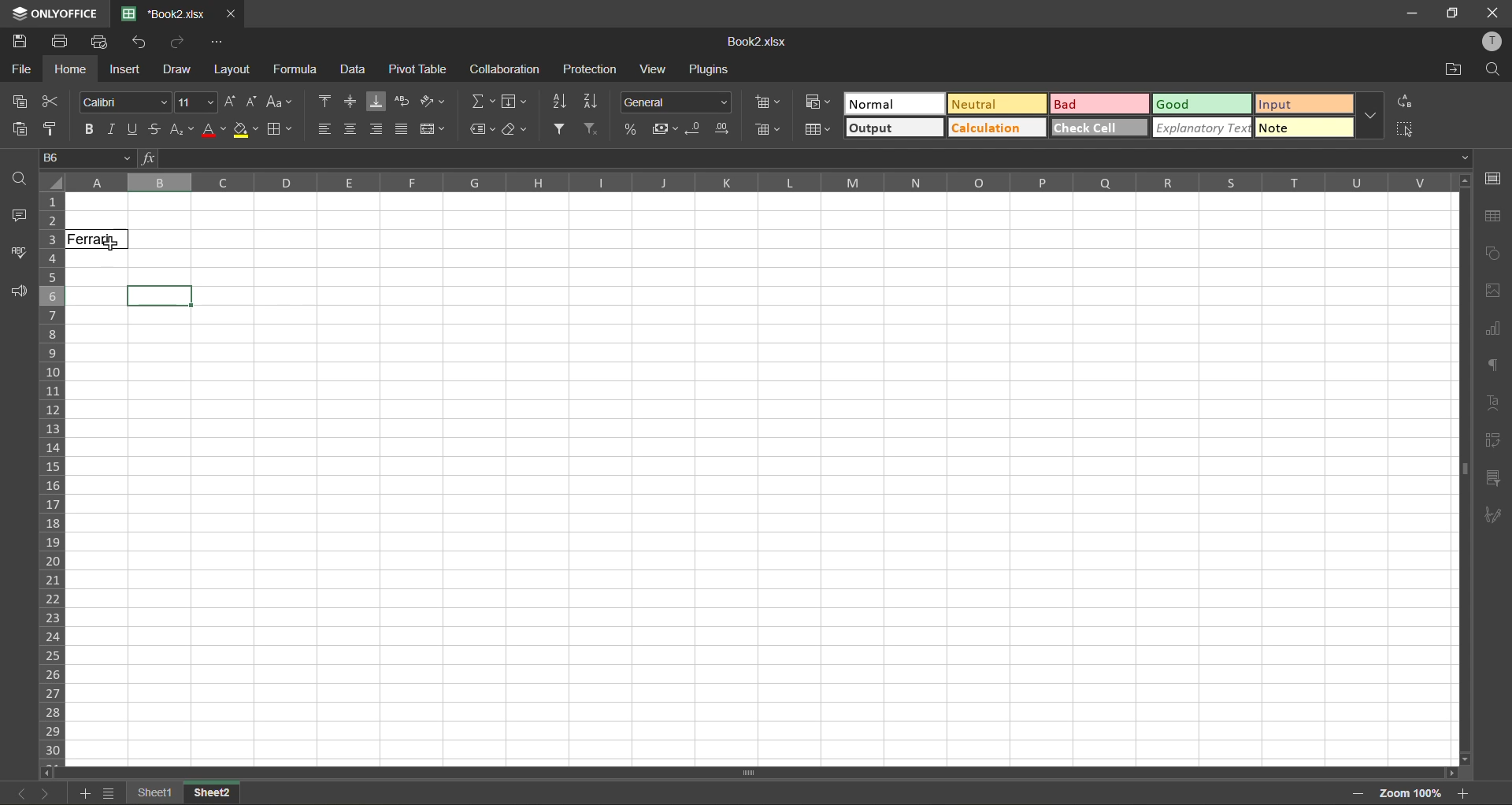 The width and height of the screenshot is (1512, 805). Describe the element at coordinates (326, 99) in the screenshot. I see `align top` at that location.